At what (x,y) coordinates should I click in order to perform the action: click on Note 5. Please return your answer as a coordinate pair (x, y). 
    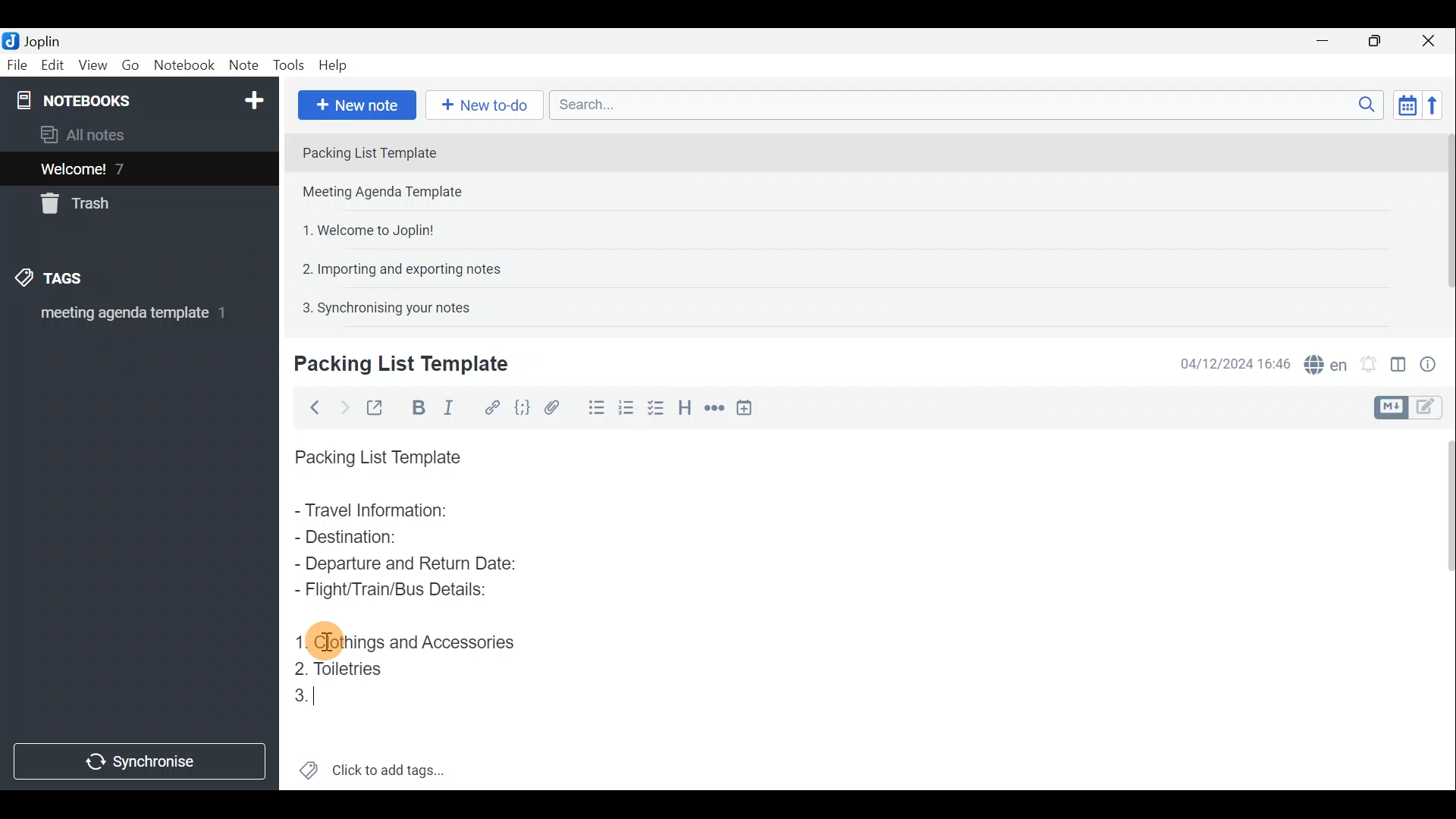
    Looking at the image, I should click on (380, 306).